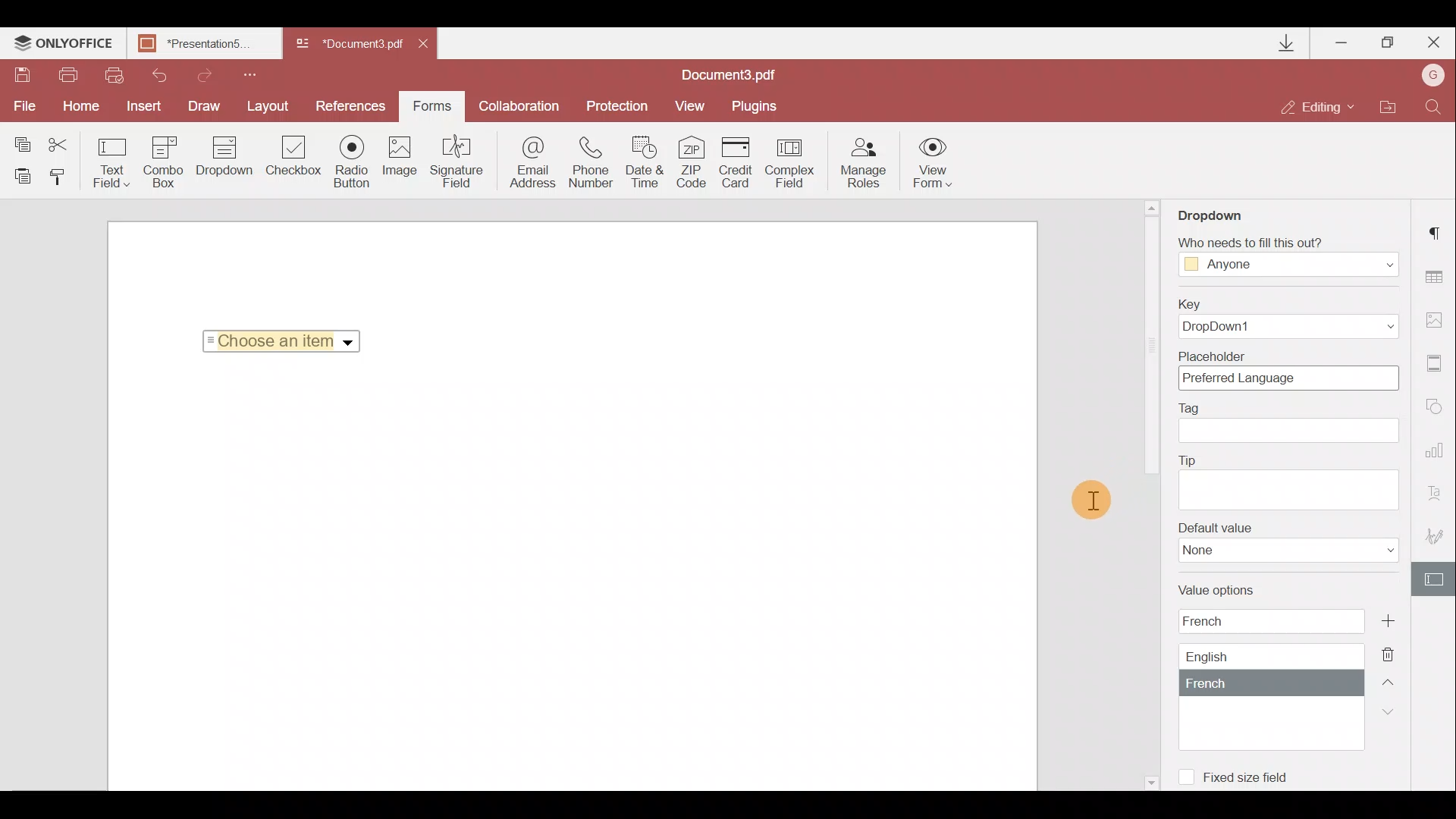 This screenshot has width=1456, height=819. Describe the element at coordinates (934, 162) in the screenshot. I see `View form` at that location.